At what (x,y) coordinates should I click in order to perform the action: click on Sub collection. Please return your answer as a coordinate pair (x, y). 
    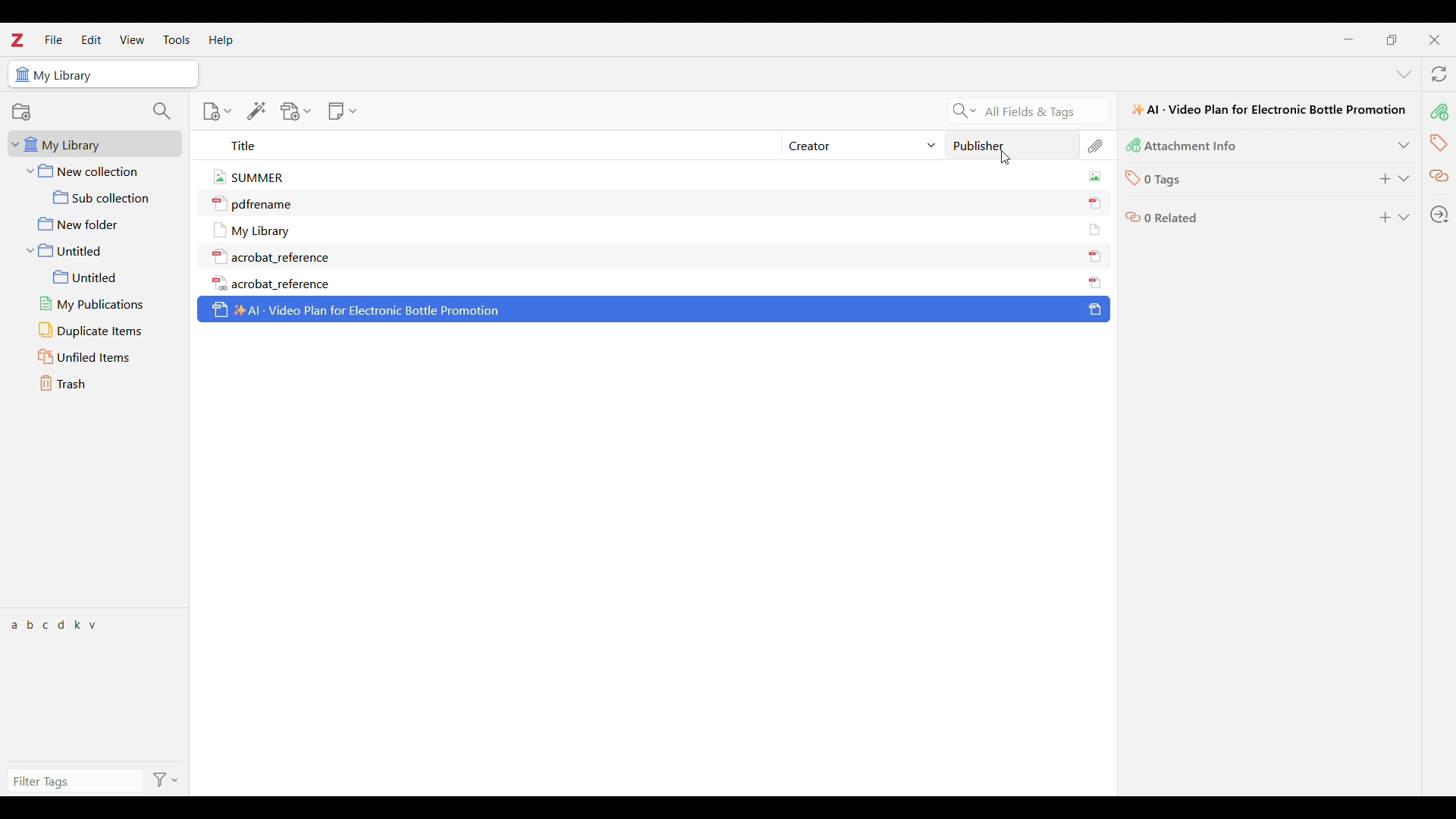
    Looking at the image, I should click on (95, 197).